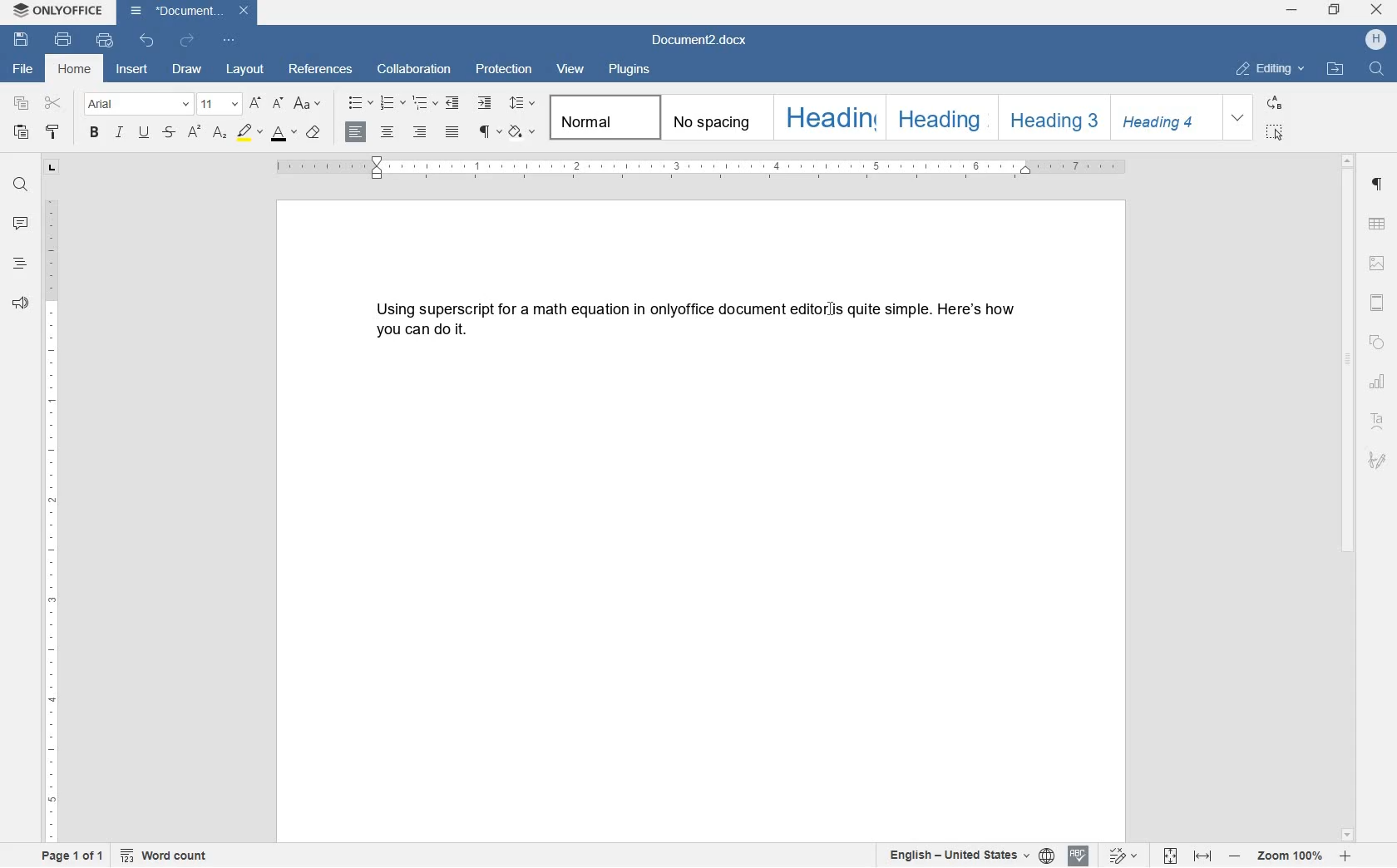  I want to click on print, so click(63, 40).